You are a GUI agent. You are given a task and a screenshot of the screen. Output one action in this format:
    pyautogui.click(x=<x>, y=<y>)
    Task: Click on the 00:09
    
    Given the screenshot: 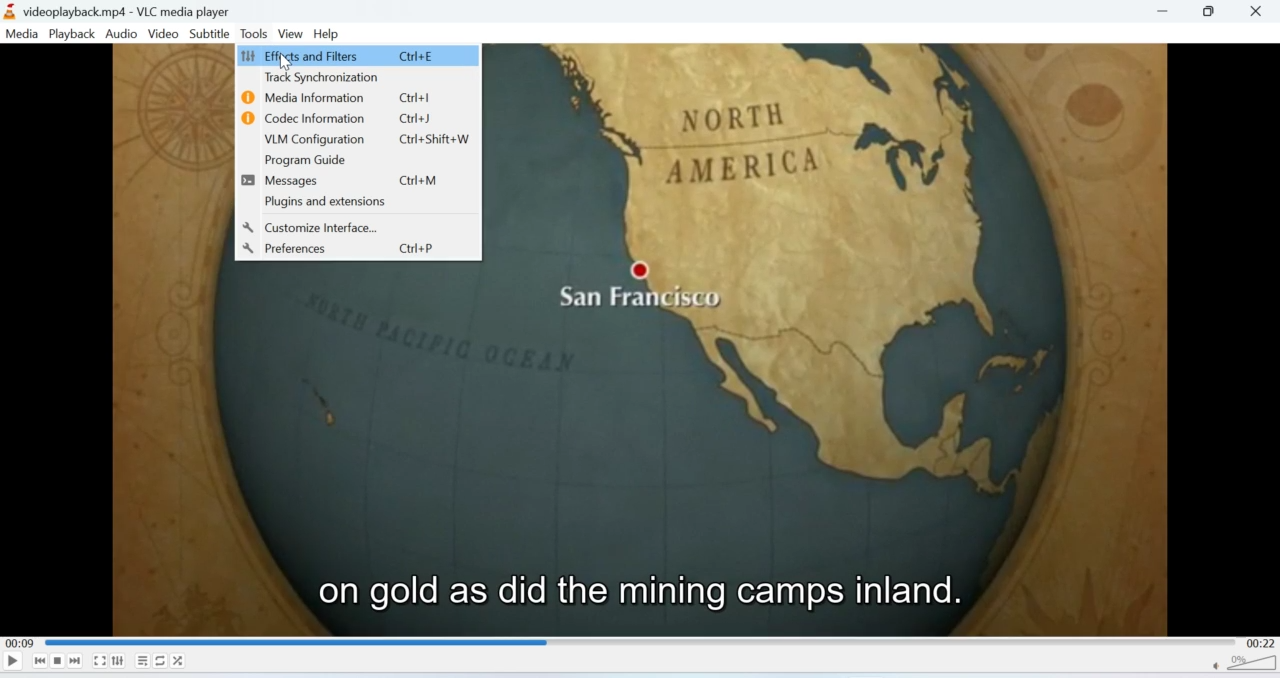 What is the action you would take?
    pyautogui.click(x=18, y=644)
    